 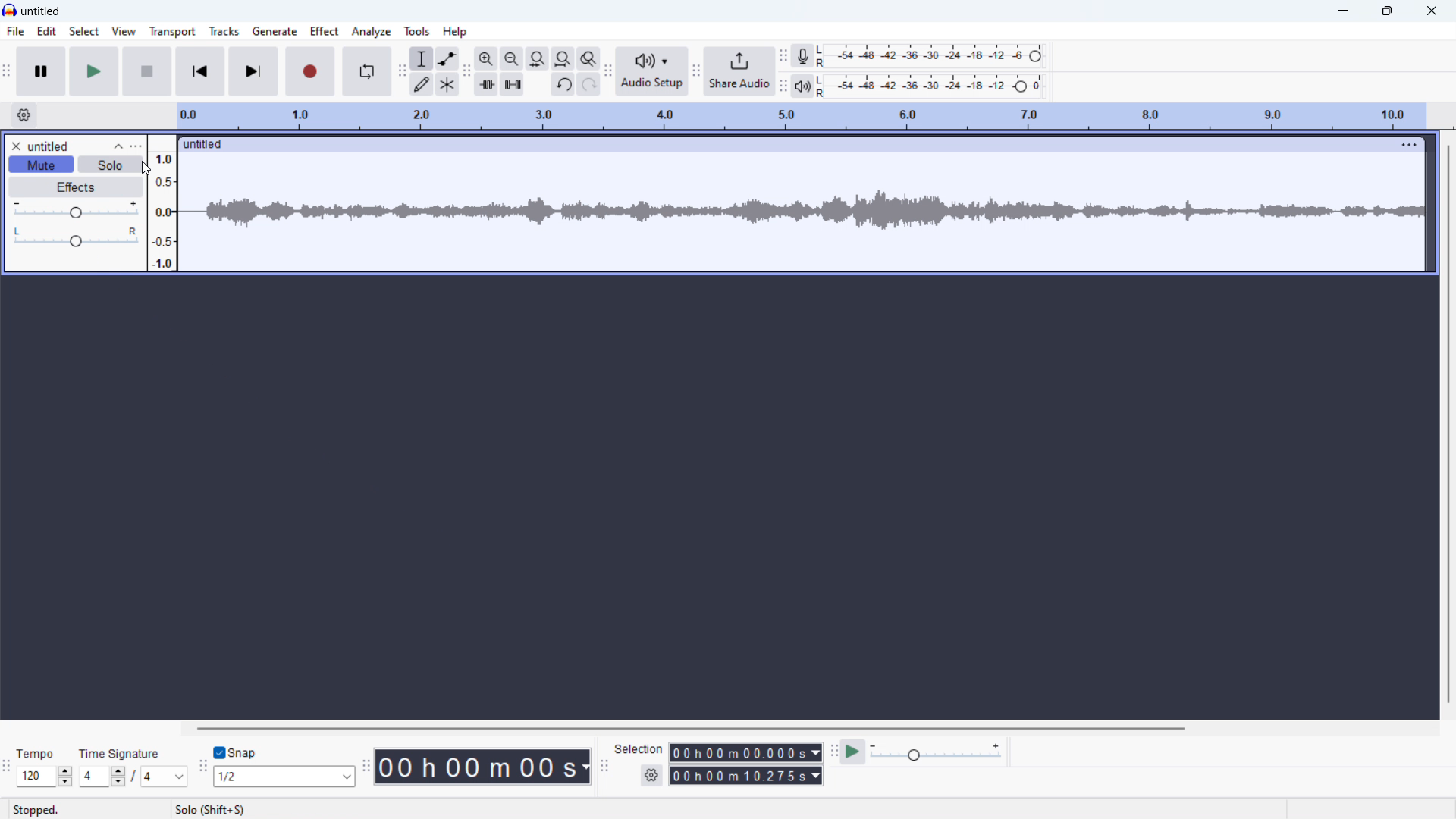 I want to click on tools, so click(x=418, y=31).